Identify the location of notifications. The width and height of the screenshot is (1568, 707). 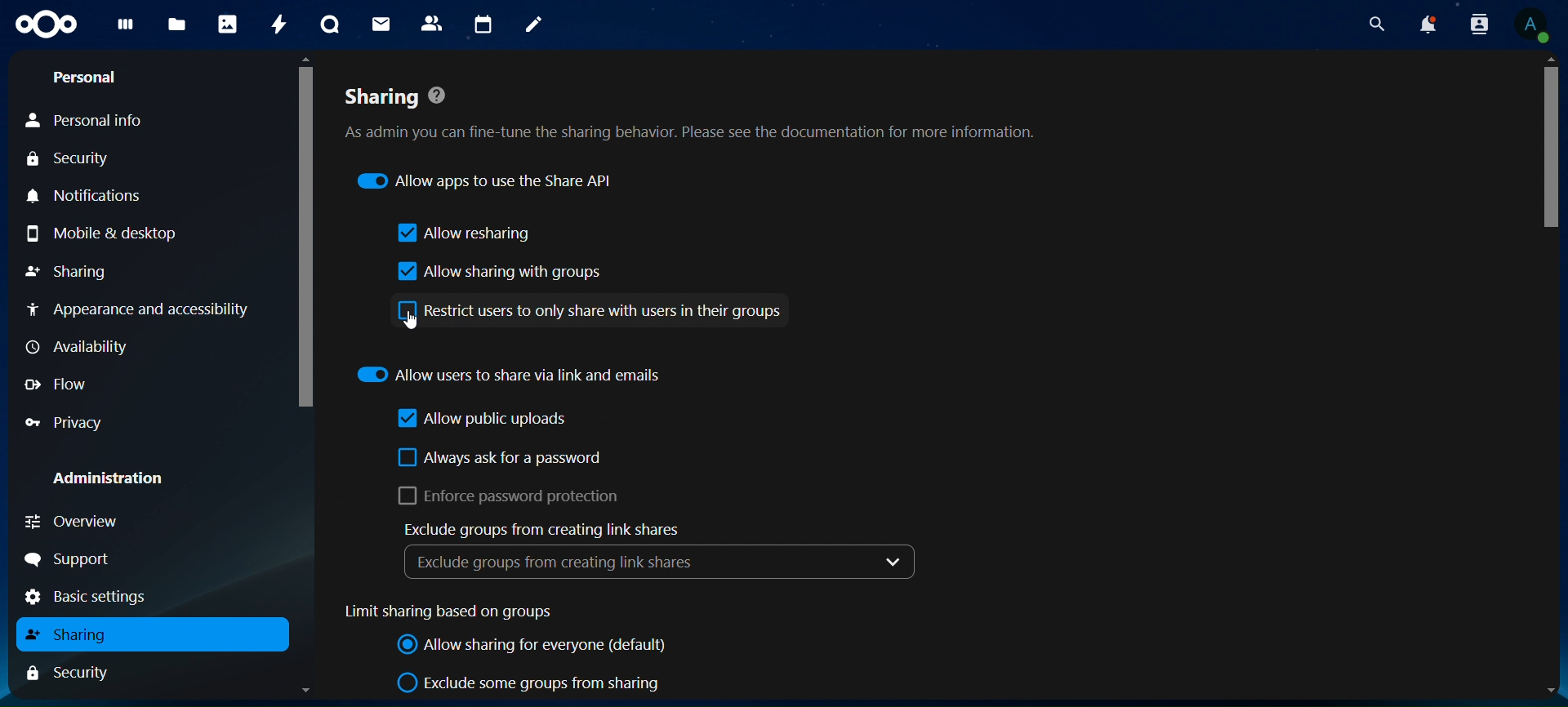
(87, 197).